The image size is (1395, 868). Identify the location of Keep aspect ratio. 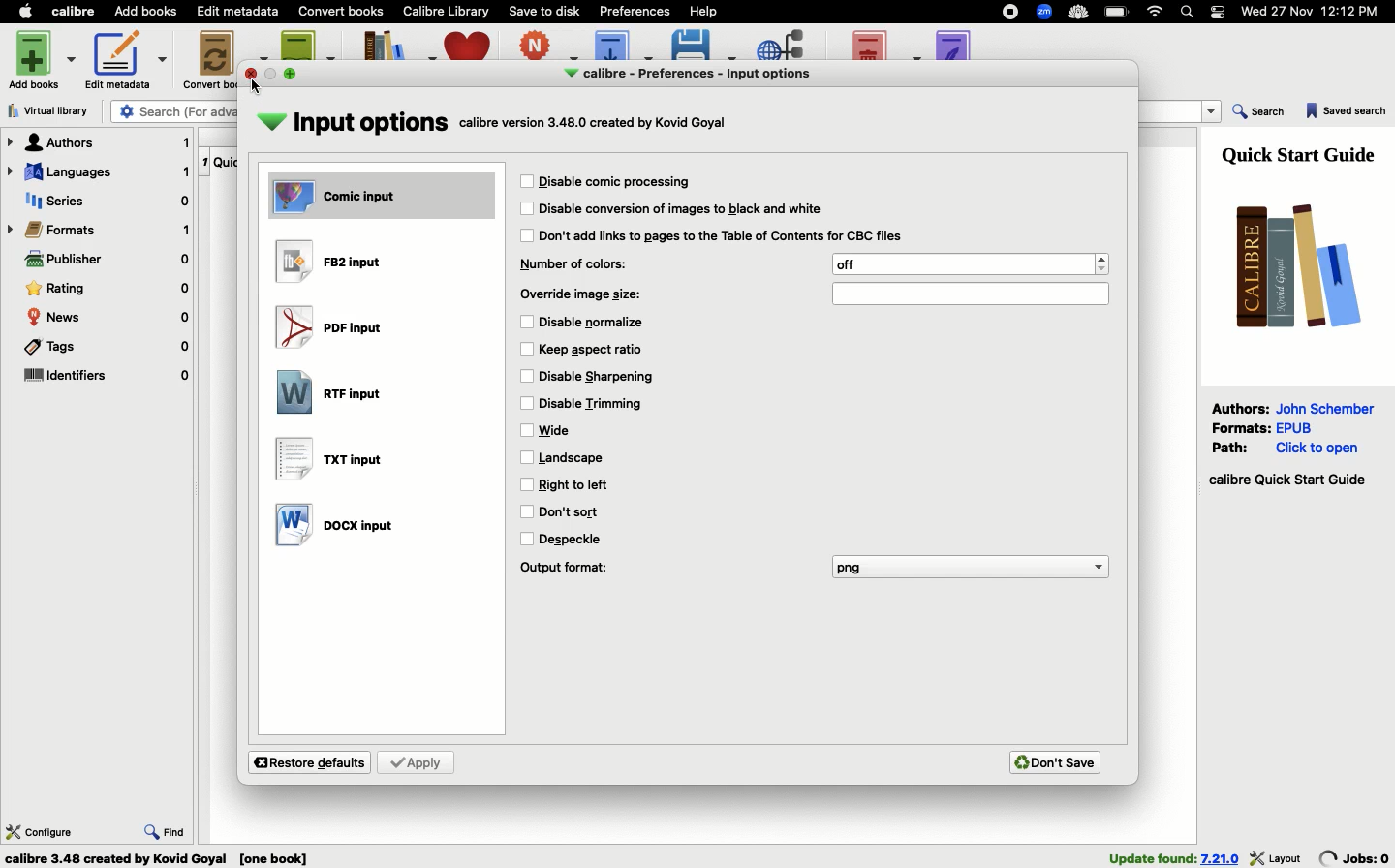
(595, 348).